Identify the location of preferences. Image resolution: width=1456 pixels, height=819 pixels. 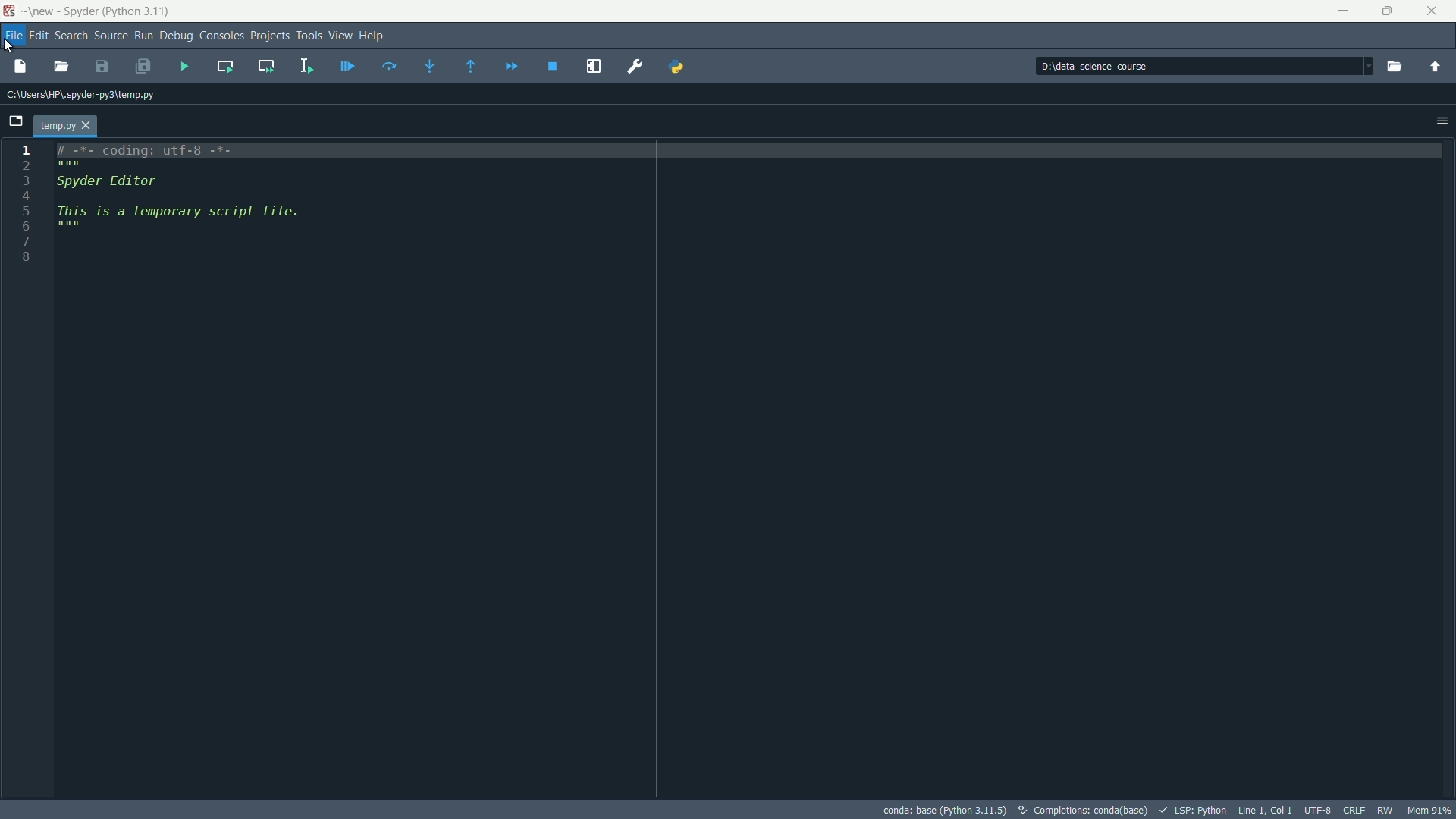
(633, 66).